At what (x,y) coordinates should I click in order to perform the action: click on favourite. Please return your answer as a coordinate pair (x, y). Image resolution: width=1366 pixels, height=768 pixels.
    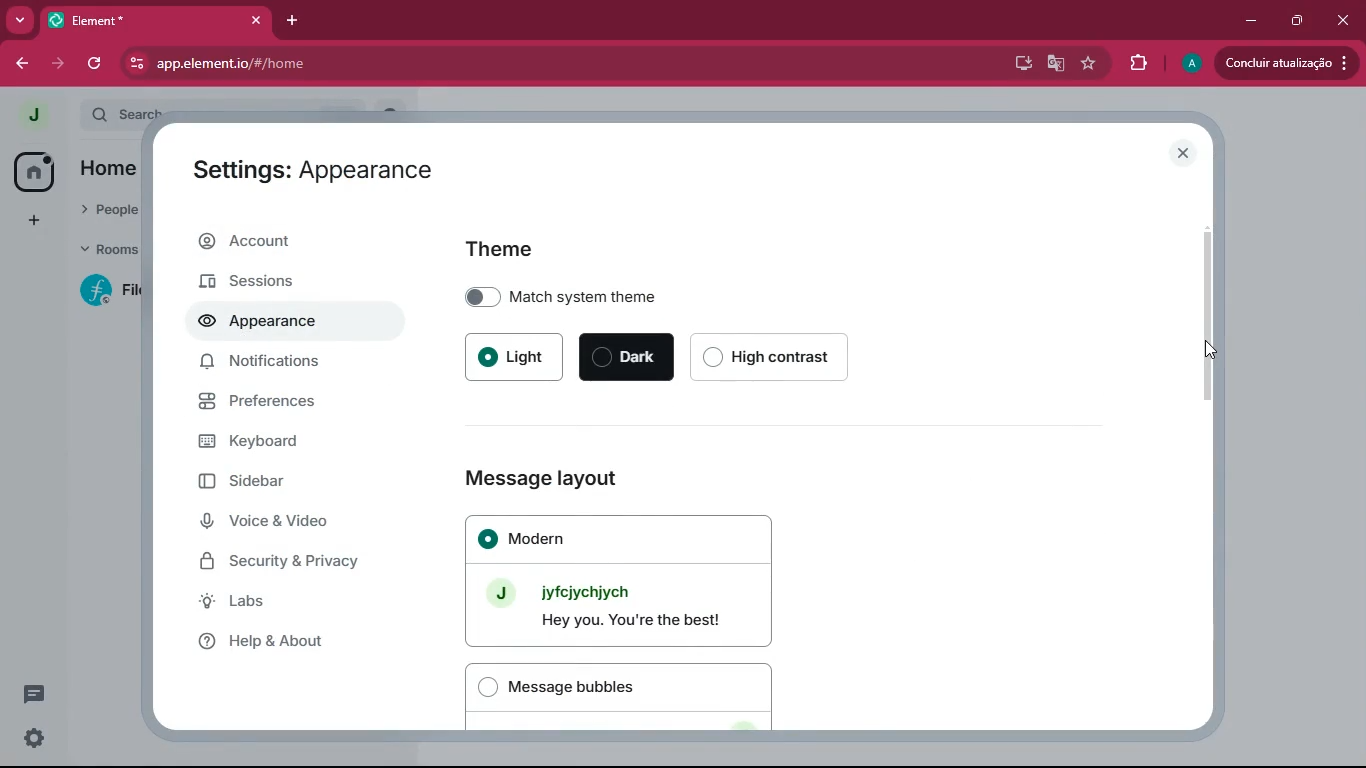
    Looking at the image, I should click on (1089, 63).